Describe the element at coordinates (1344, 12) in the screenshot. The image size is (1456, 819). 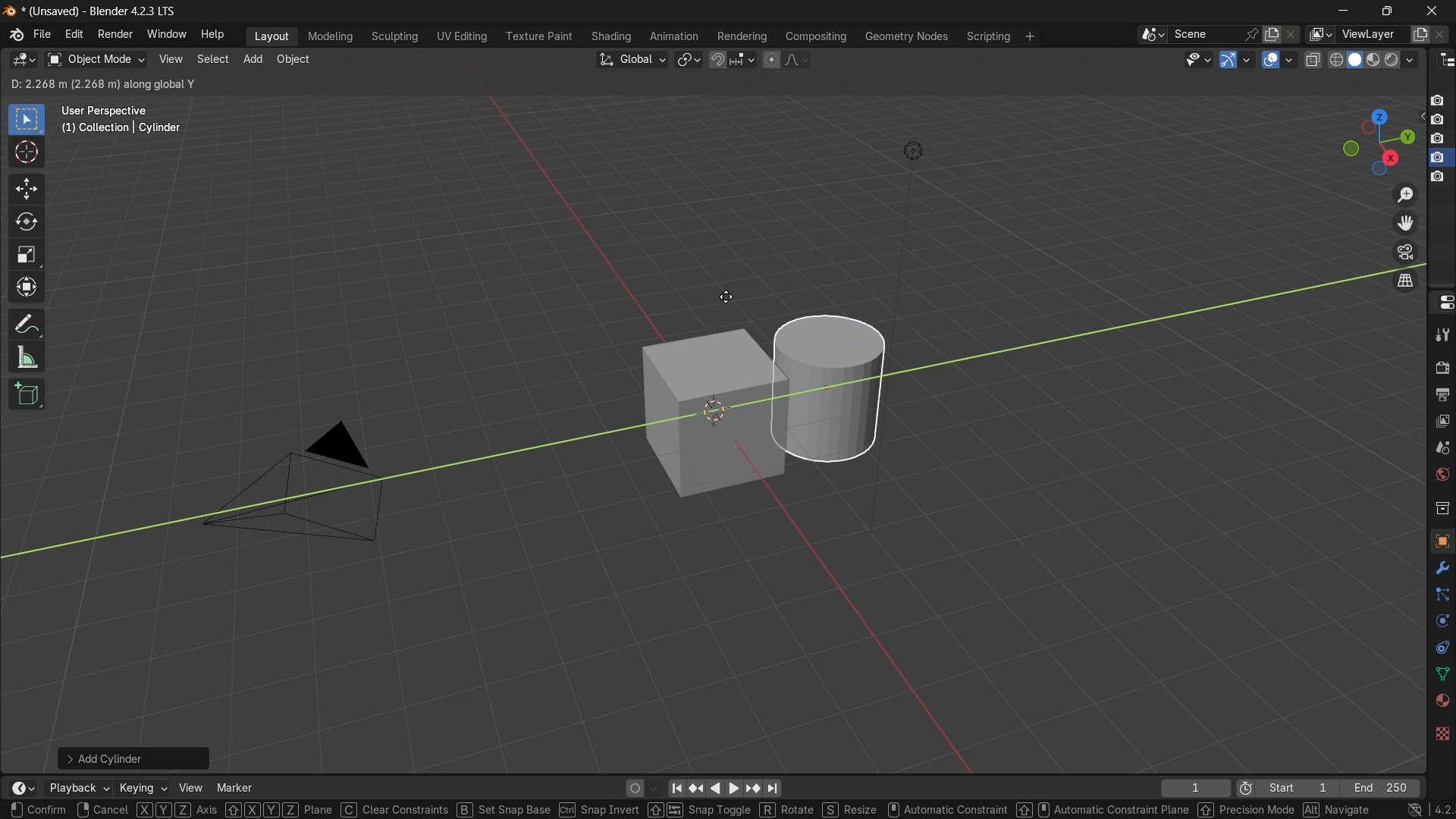
I see `minimize` at that location.